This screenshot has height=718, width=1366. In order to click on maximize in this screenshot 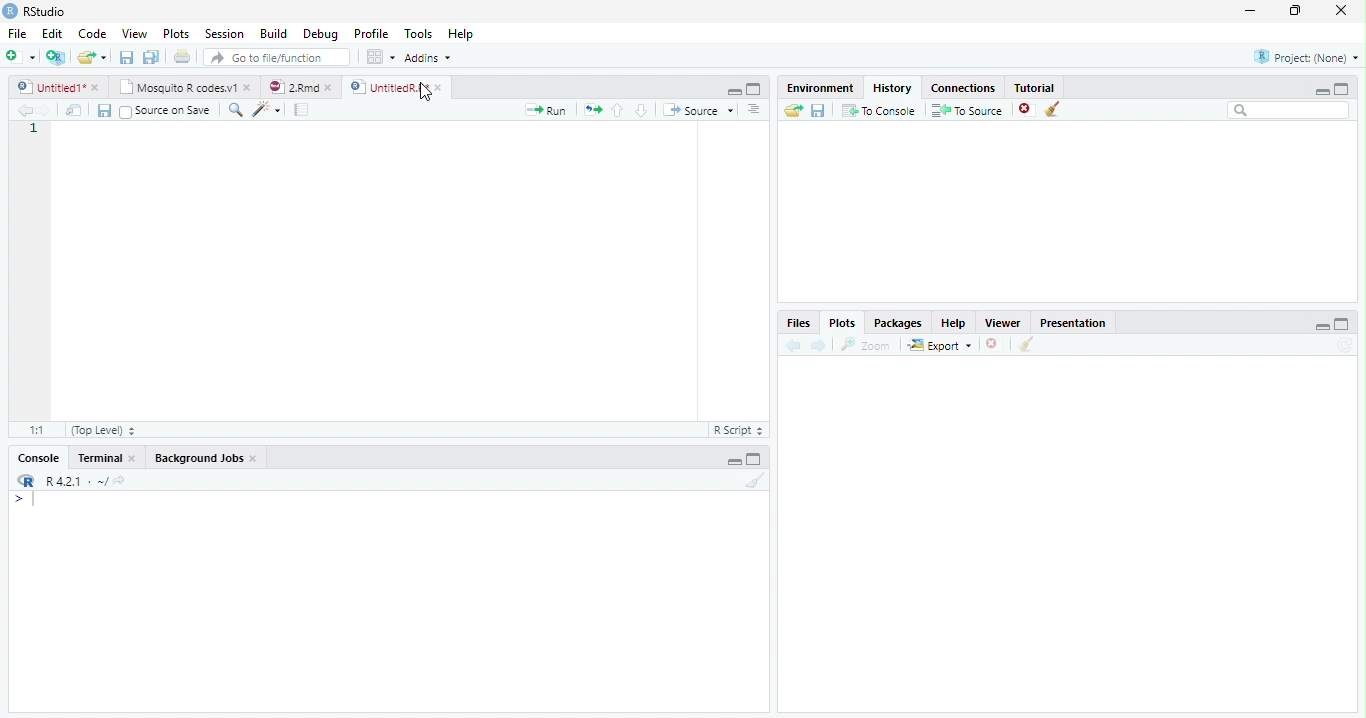, I will do `click(1345, 88)`.